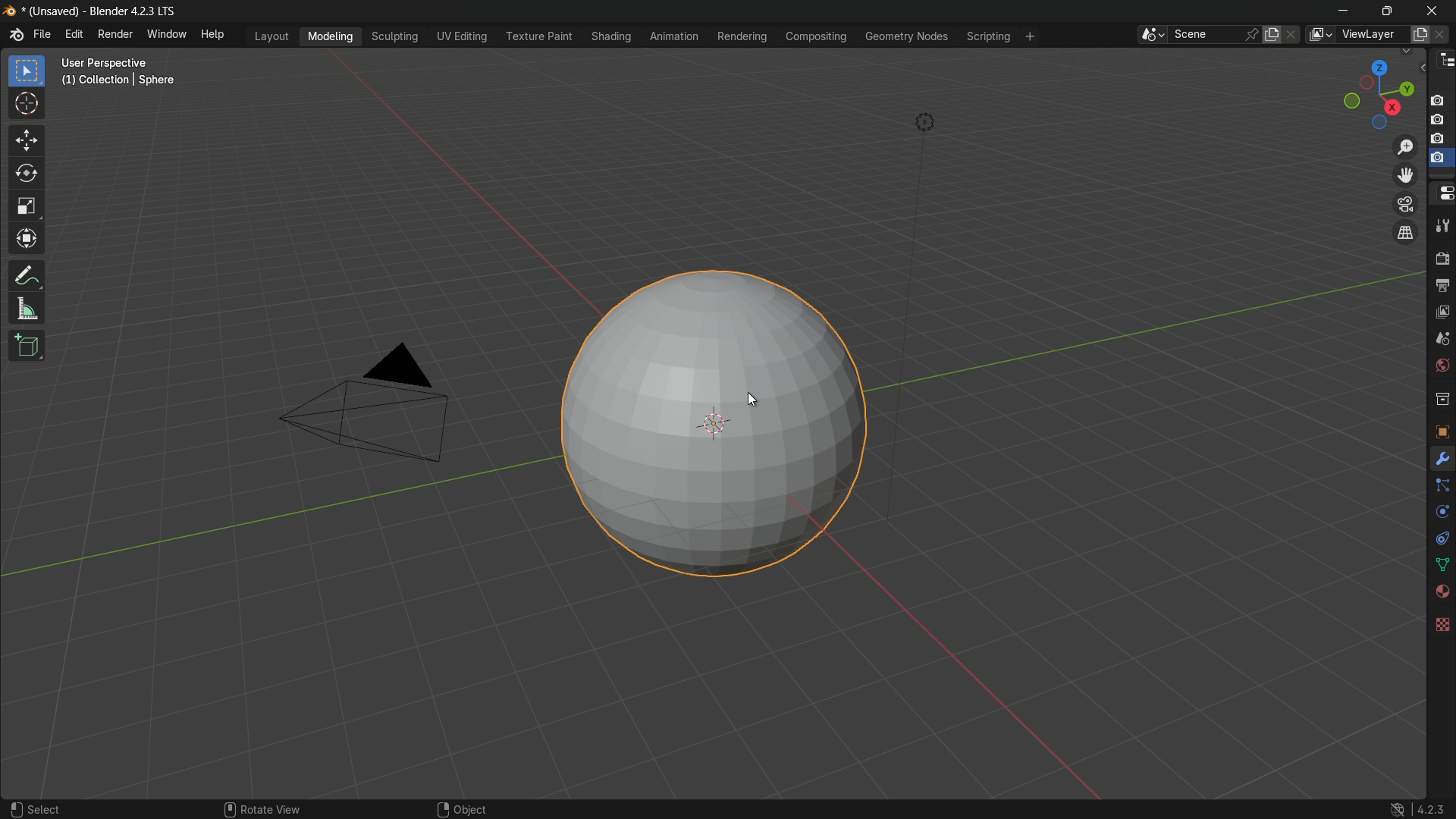 This screenshot has height=819, width=1456. Describe the element at coordinates (1443, 34) in the screenshot. I see `remove layer` at that location.